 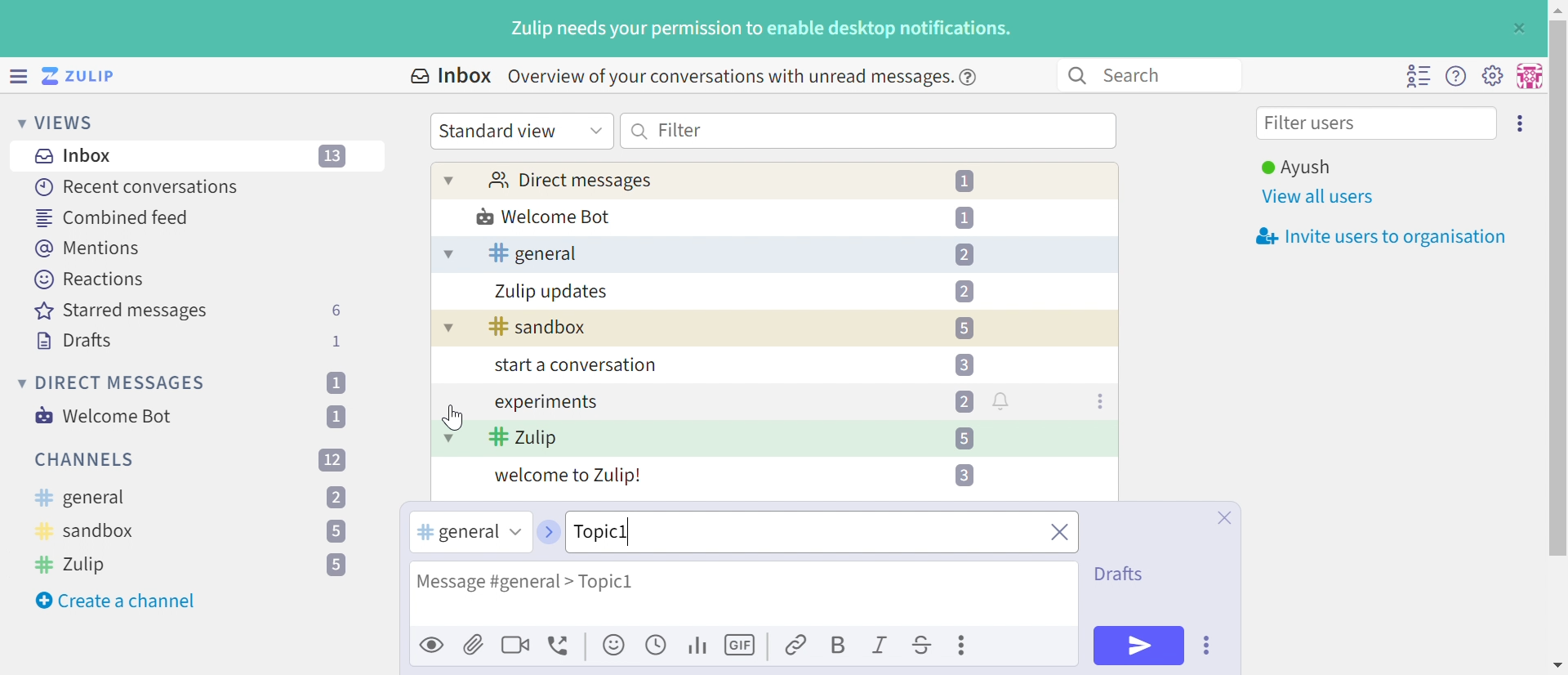 I want to click on Help Center, so click(x=973, y=76).